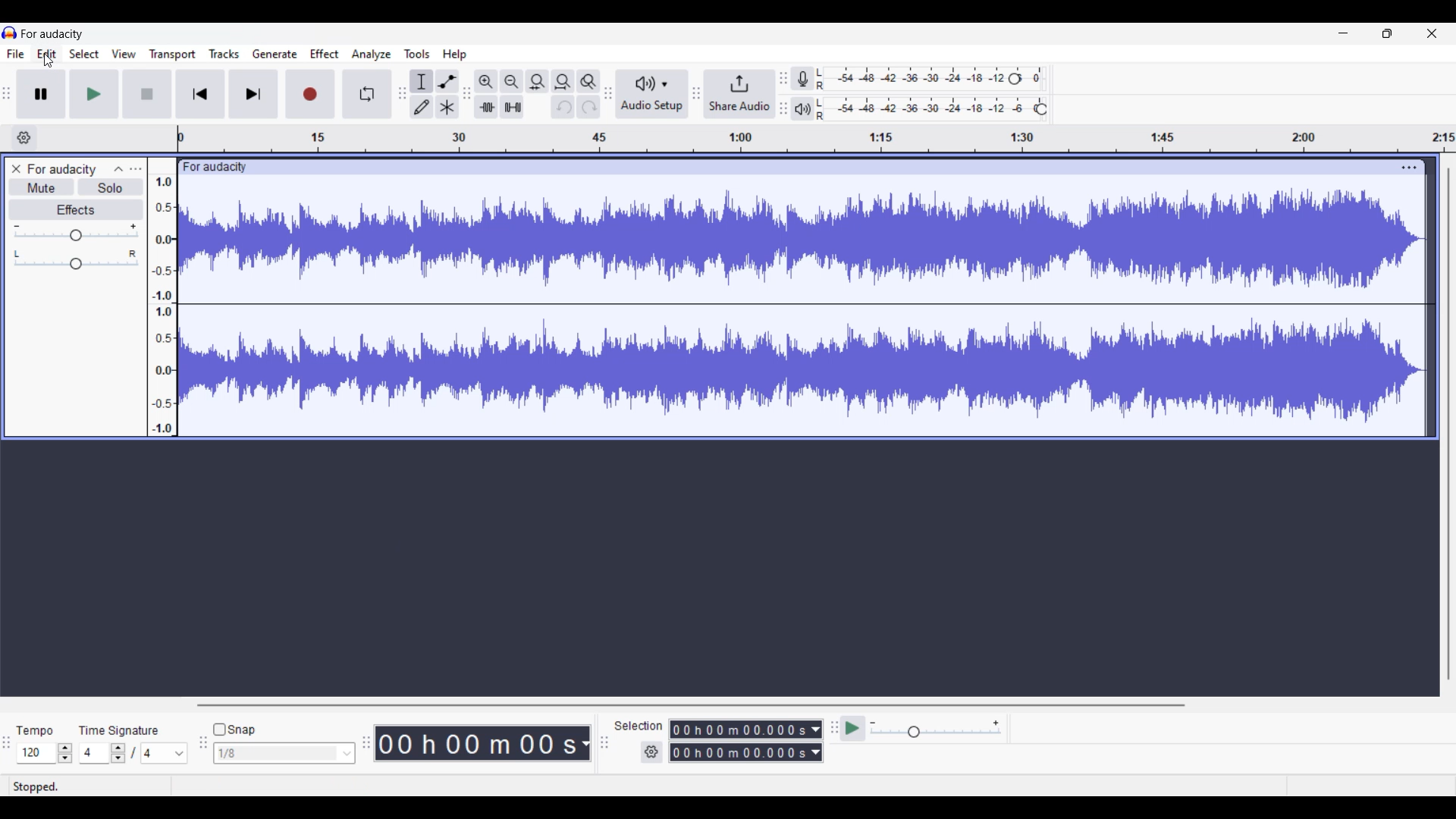 The width and height of the screenshot is (1456, 819). What do you see at coordinates (1015, 79) in the screenshot?
I see `Header to change recording level` at bounding box center [1015, 79].